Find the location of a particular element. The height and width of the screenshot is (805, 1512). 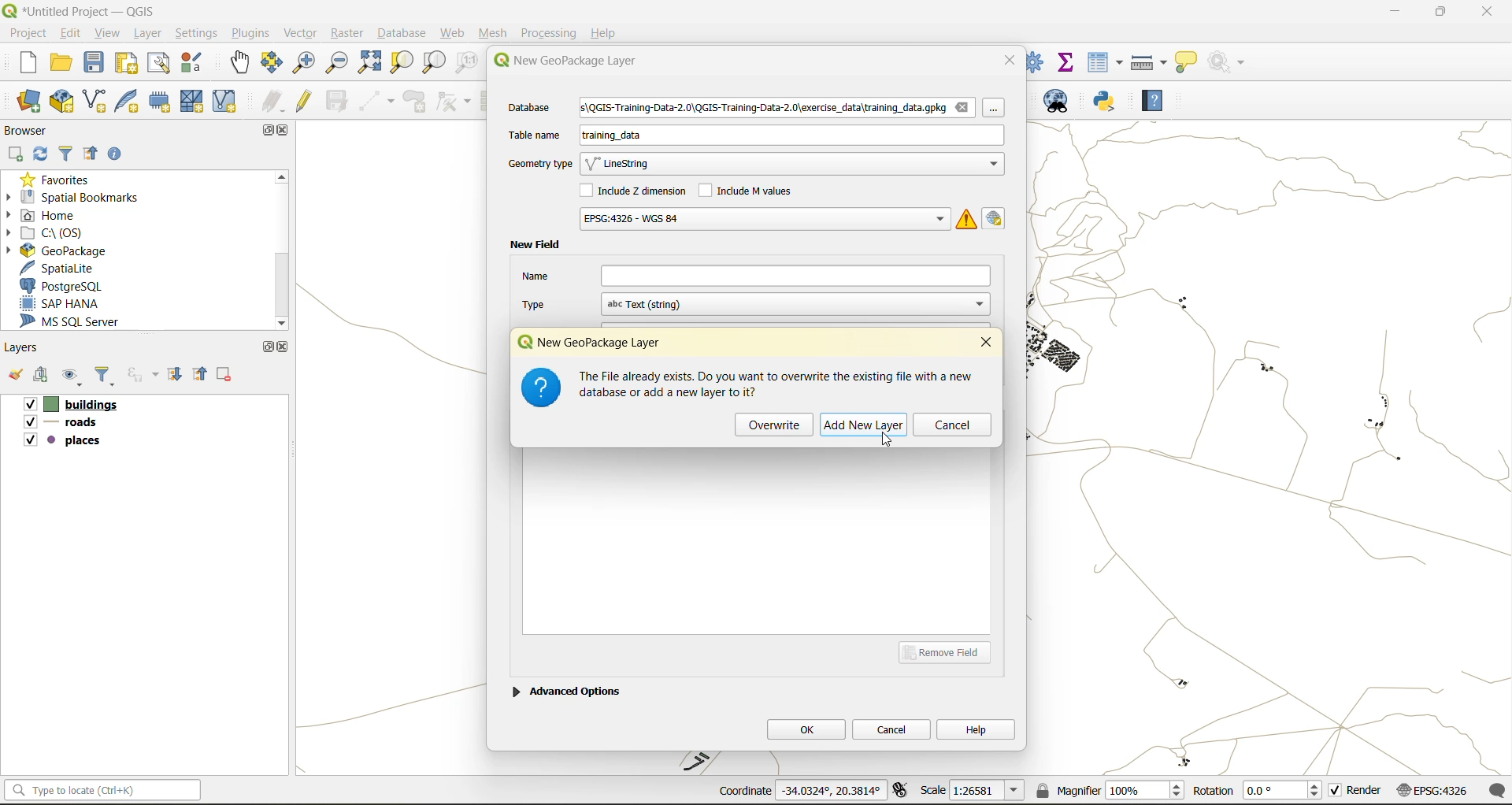

Help is located at coordinates (604, 33).